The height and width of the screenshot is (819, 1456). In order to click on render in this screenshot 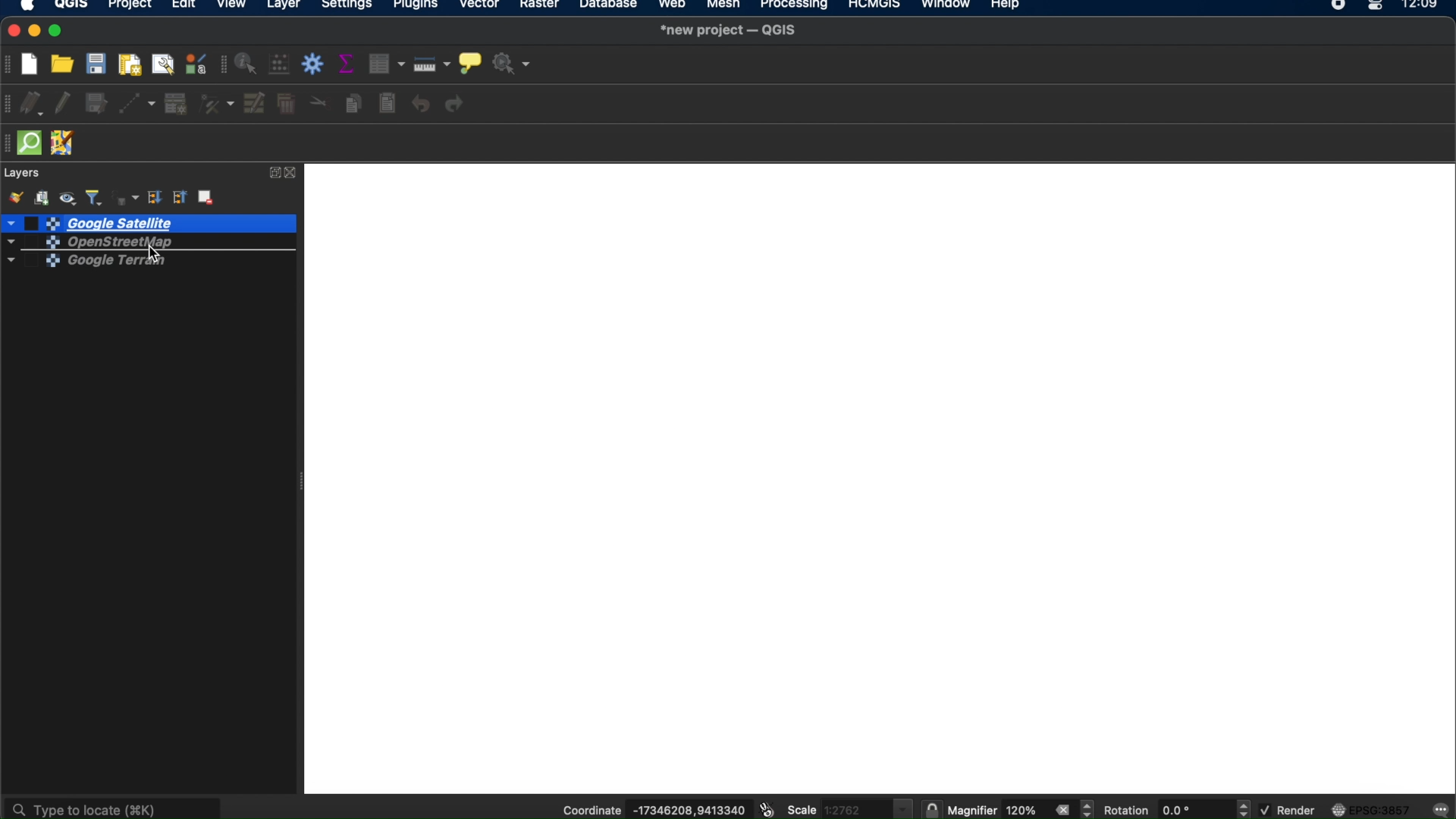, I will do `click(1287, 810)`.